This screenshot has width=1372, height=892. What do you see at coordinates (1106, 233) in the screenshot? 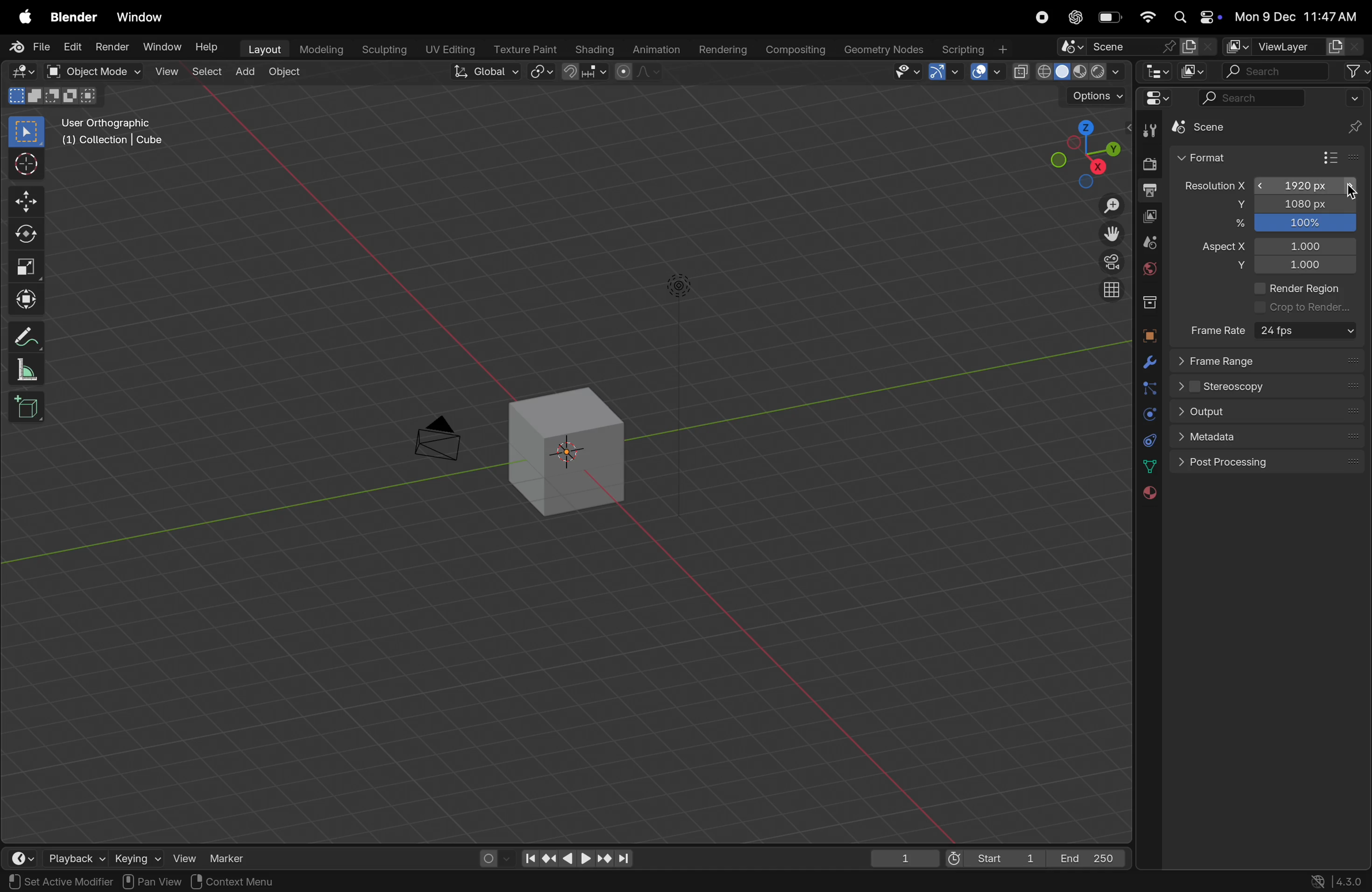
I see `move the view` at bounding box center [1106, 233].